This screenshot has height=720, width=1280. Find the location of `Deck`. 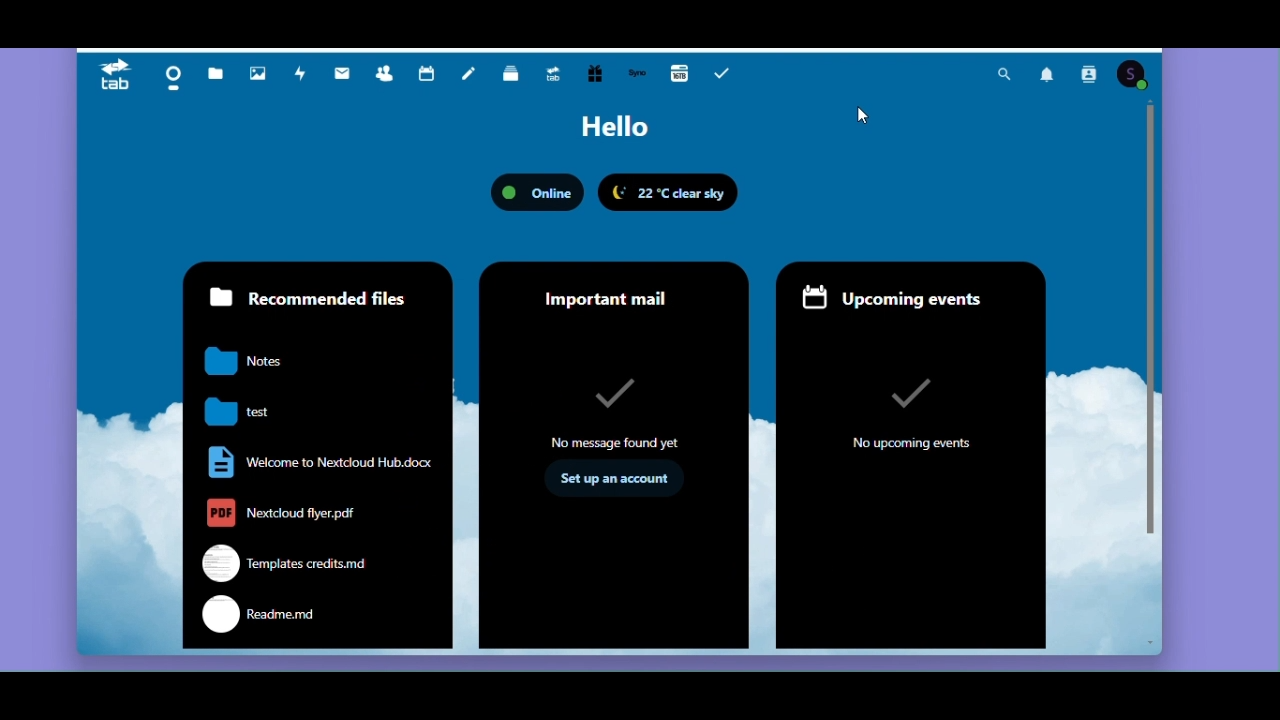

Deck is located at coordinates (513, 76).